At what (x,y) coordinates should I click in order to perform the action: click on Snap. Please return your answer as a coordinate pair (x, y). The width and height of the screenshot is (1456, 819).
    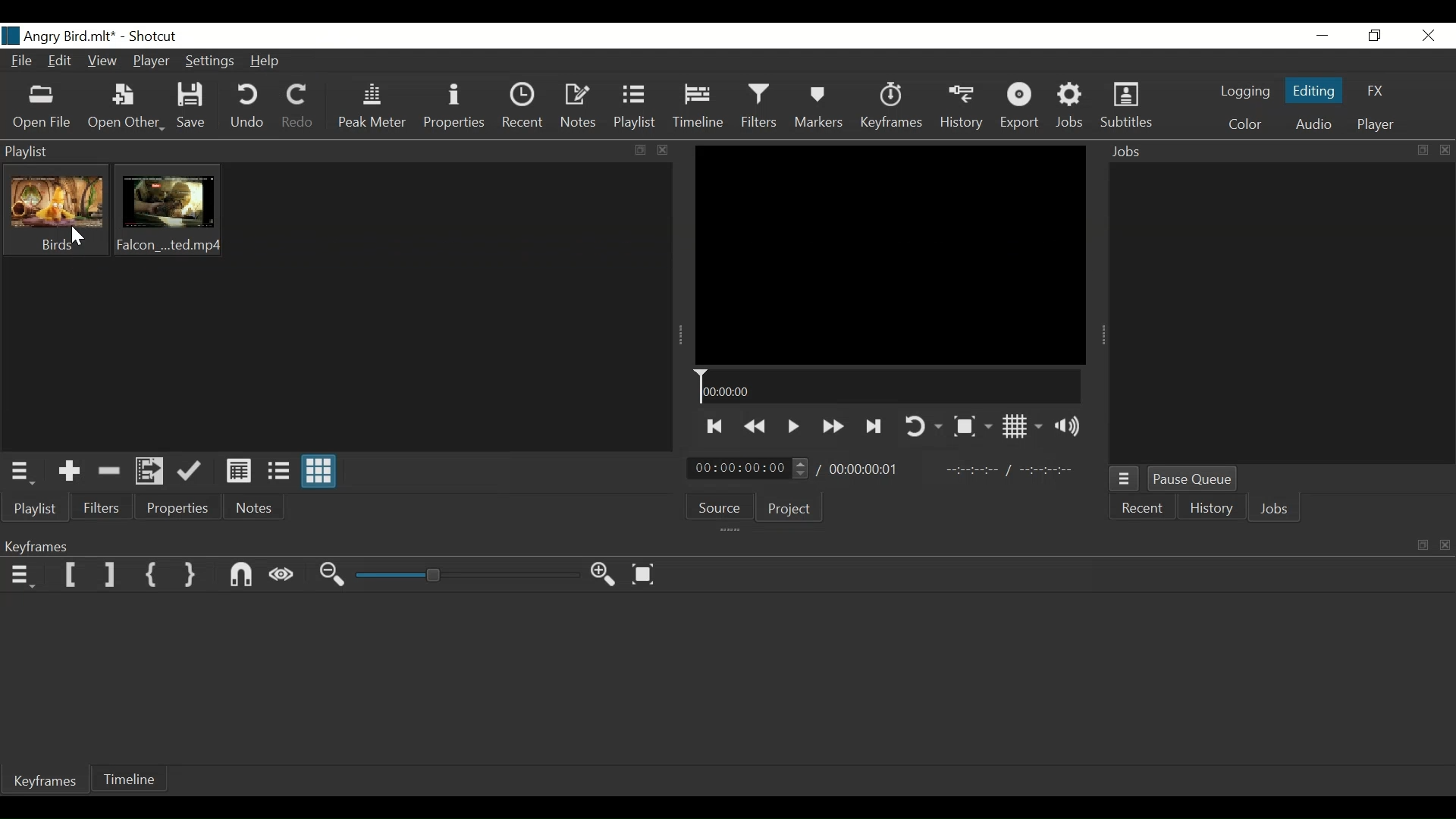
    Looking at the image, I should click on (243, 576).